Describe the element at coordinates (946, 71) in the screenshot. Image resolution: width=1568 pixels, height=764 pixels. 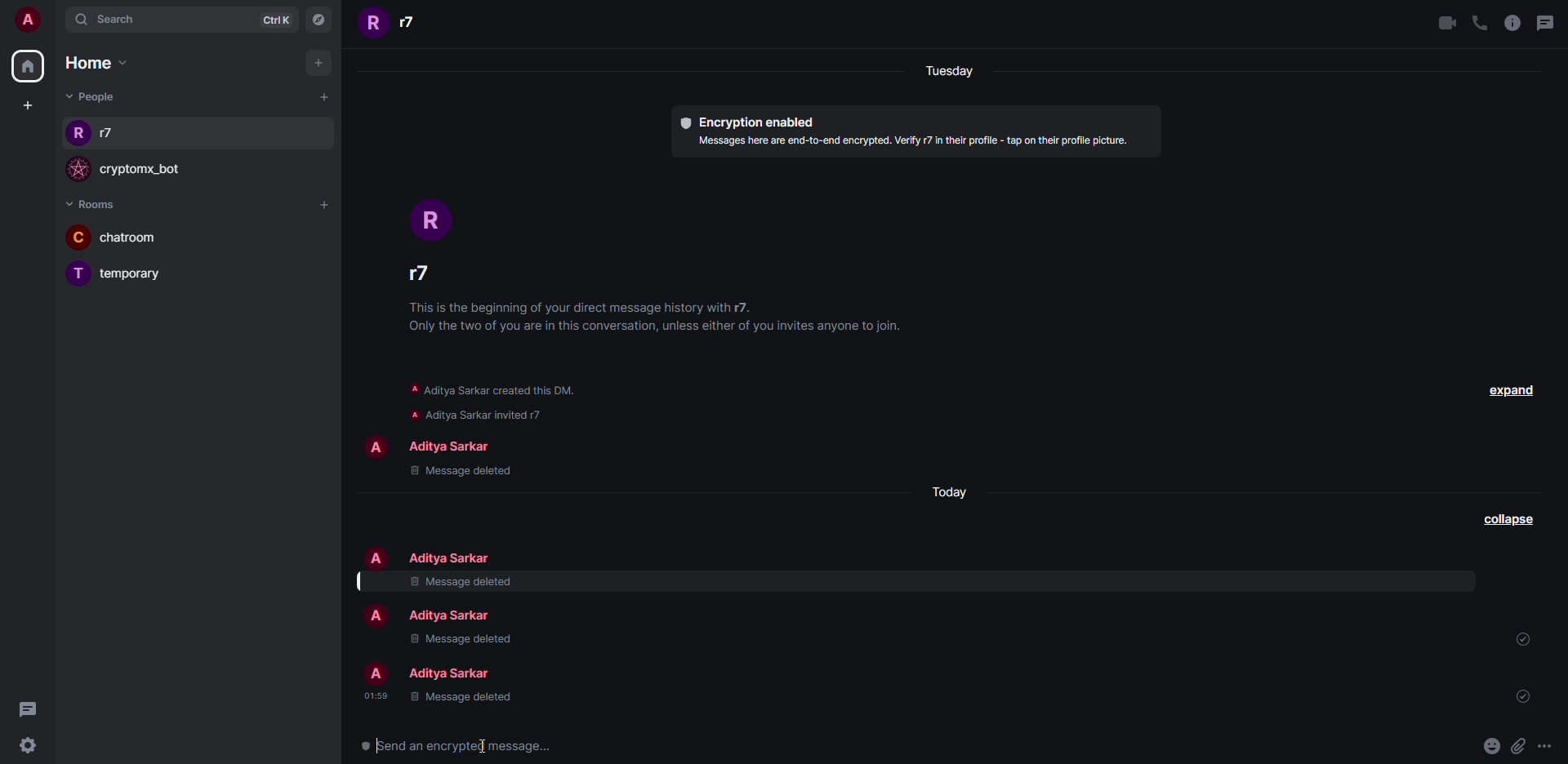
I see `day` at that location.